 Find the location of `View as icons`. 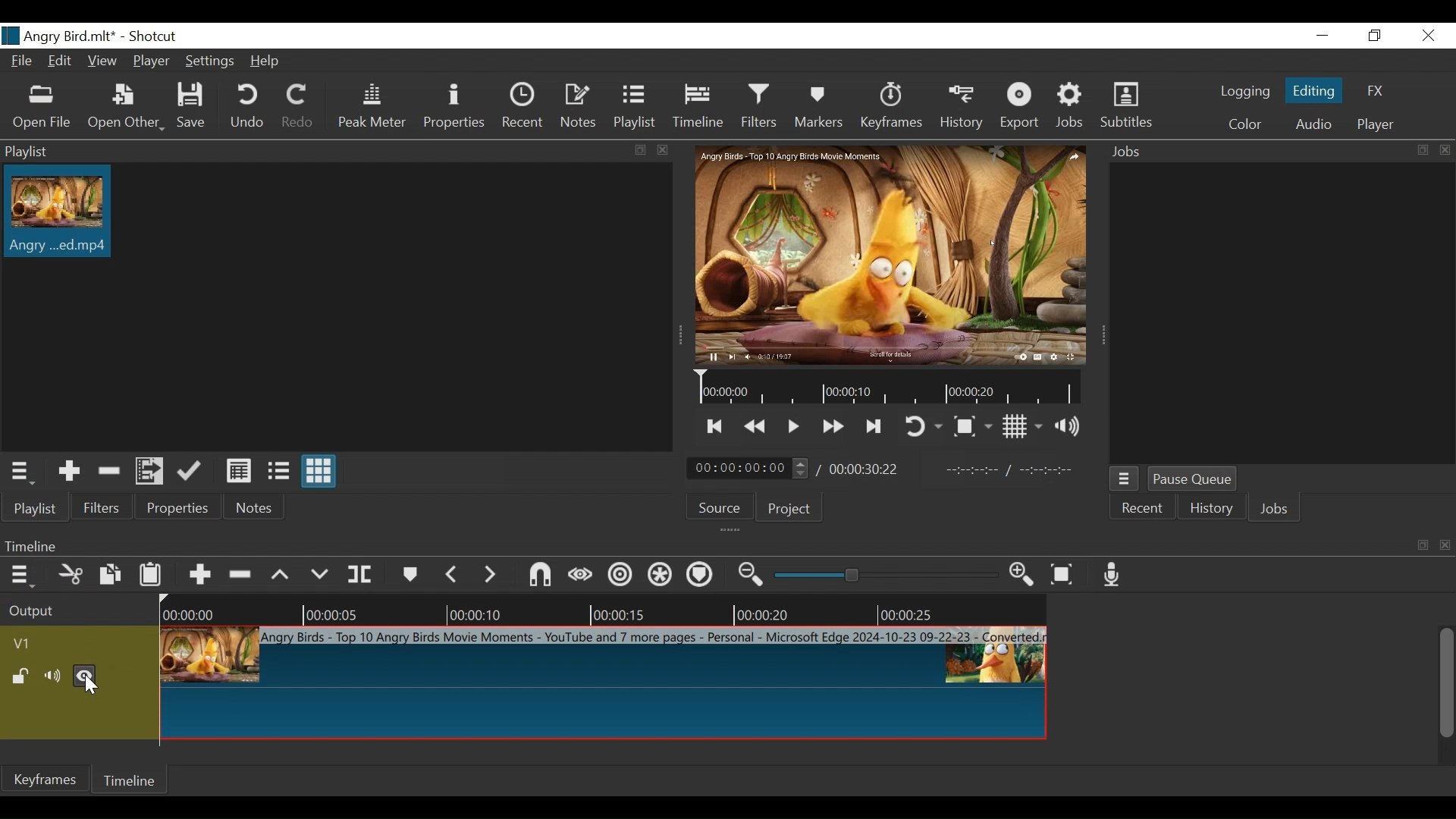

View as icons is located at coordinates (320, 472).